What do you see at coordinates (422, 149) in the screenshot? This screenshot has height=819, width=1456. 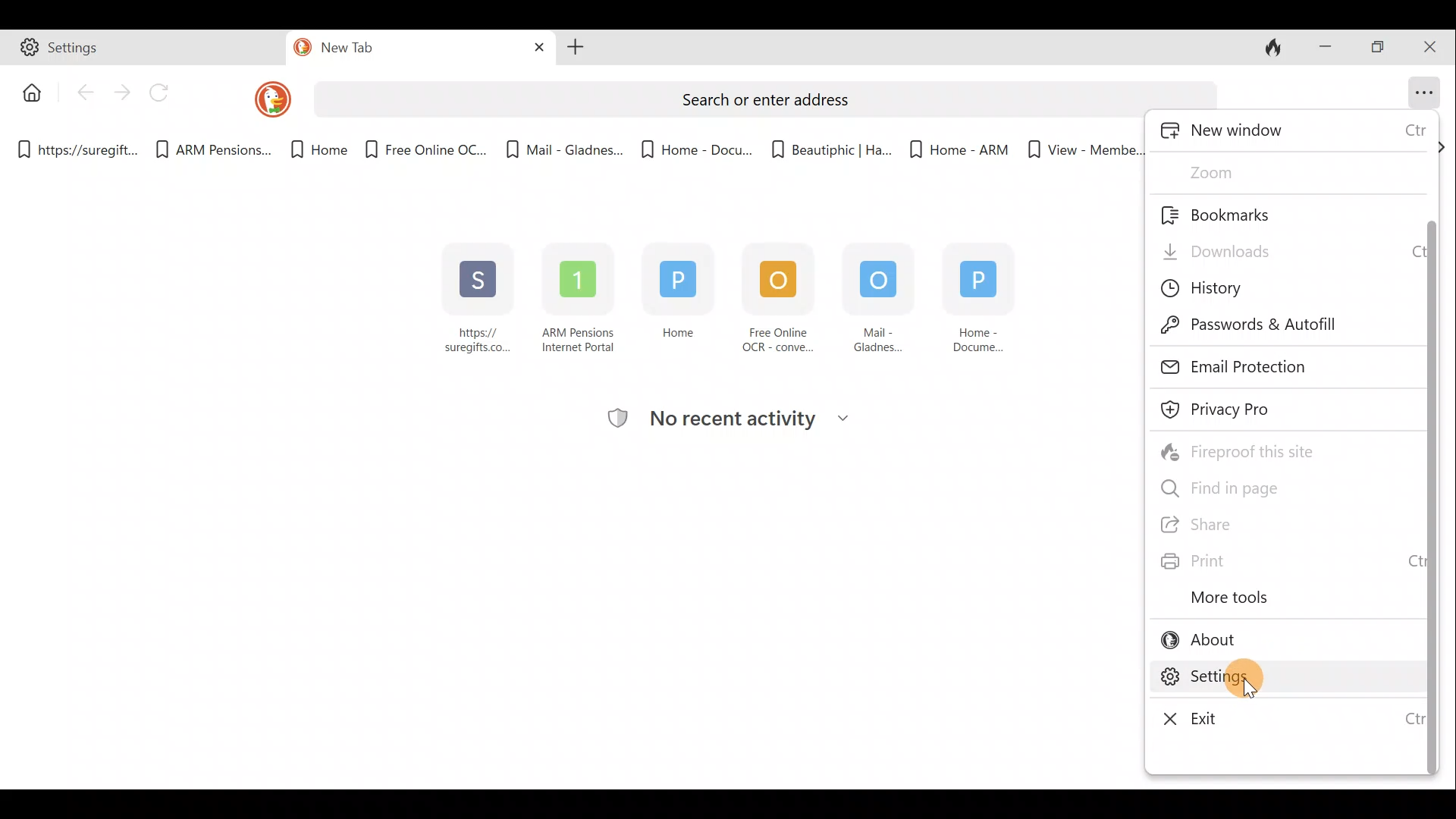 I see `Bookmark 4` at bounding box center [422, 149].